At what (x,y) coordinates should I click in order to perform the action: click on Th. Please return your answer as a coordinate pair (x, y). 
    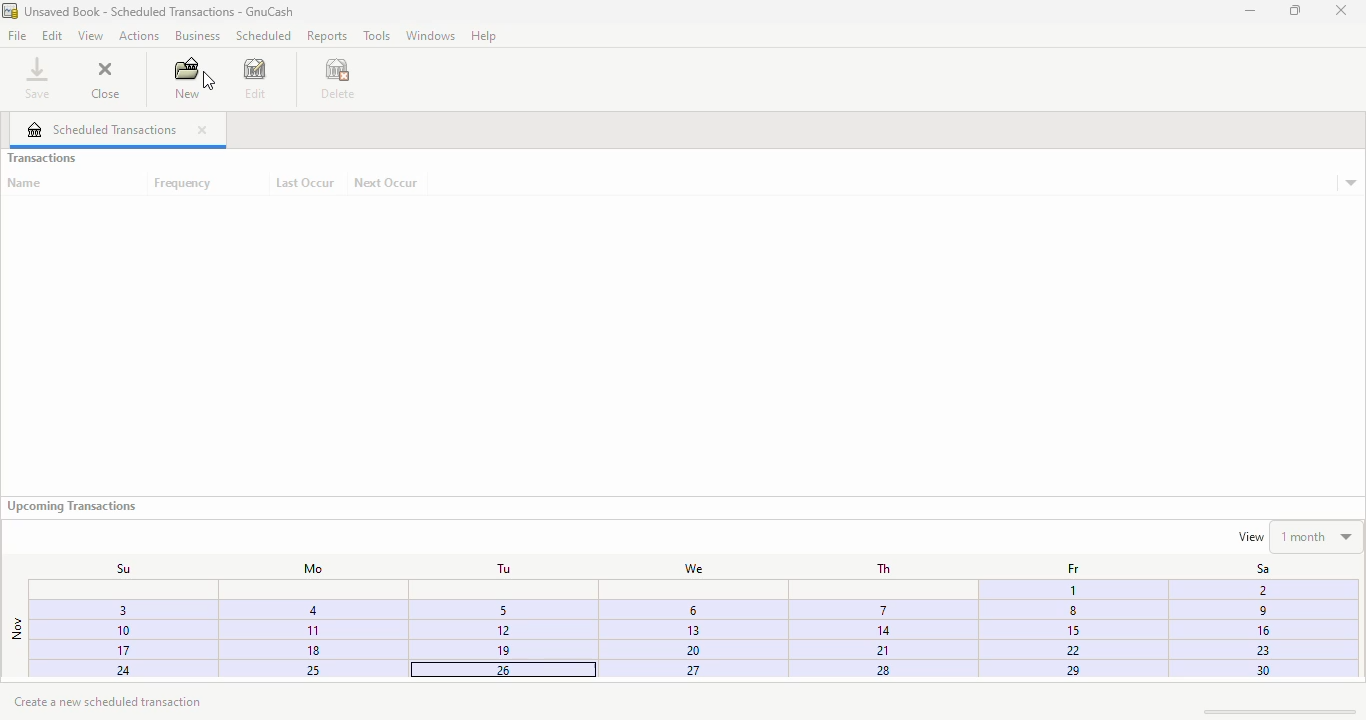
    Looking at the image, I should click on (881, 568).